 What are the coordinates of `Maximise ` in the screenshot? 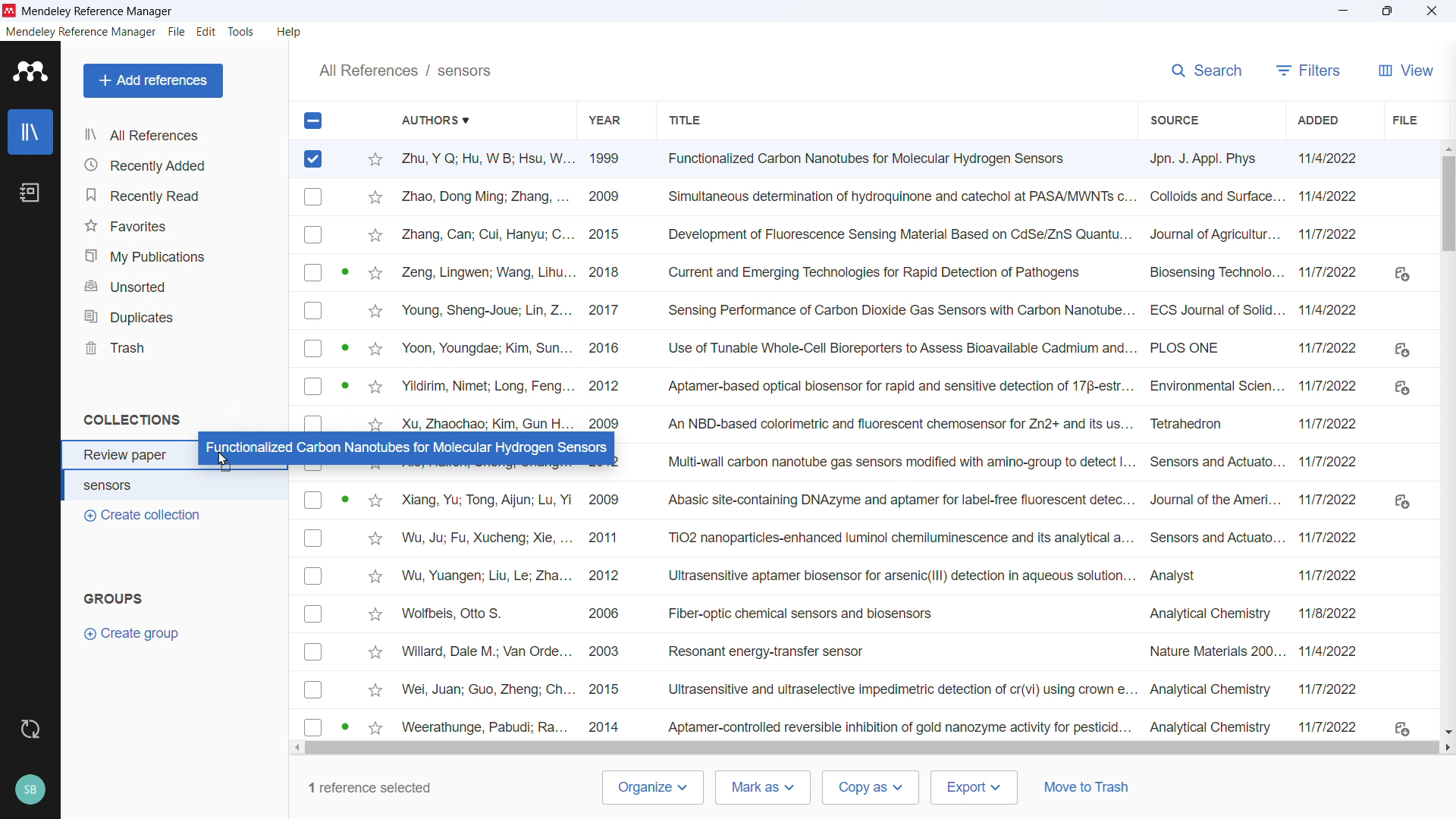 It's located at (1386, 11).